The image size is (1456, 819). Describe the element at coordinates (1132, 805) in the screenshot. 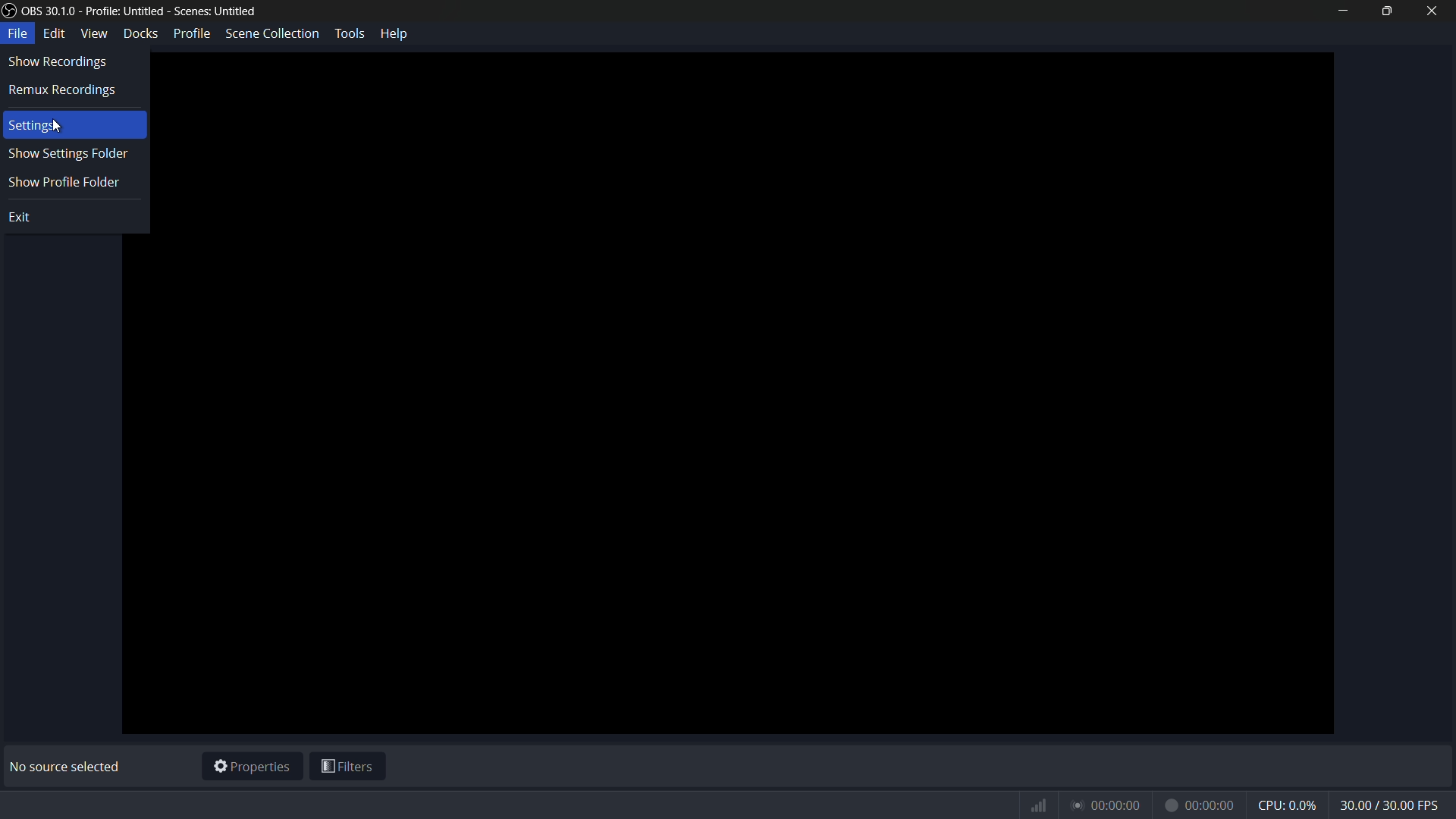

I see `timer` at that location.